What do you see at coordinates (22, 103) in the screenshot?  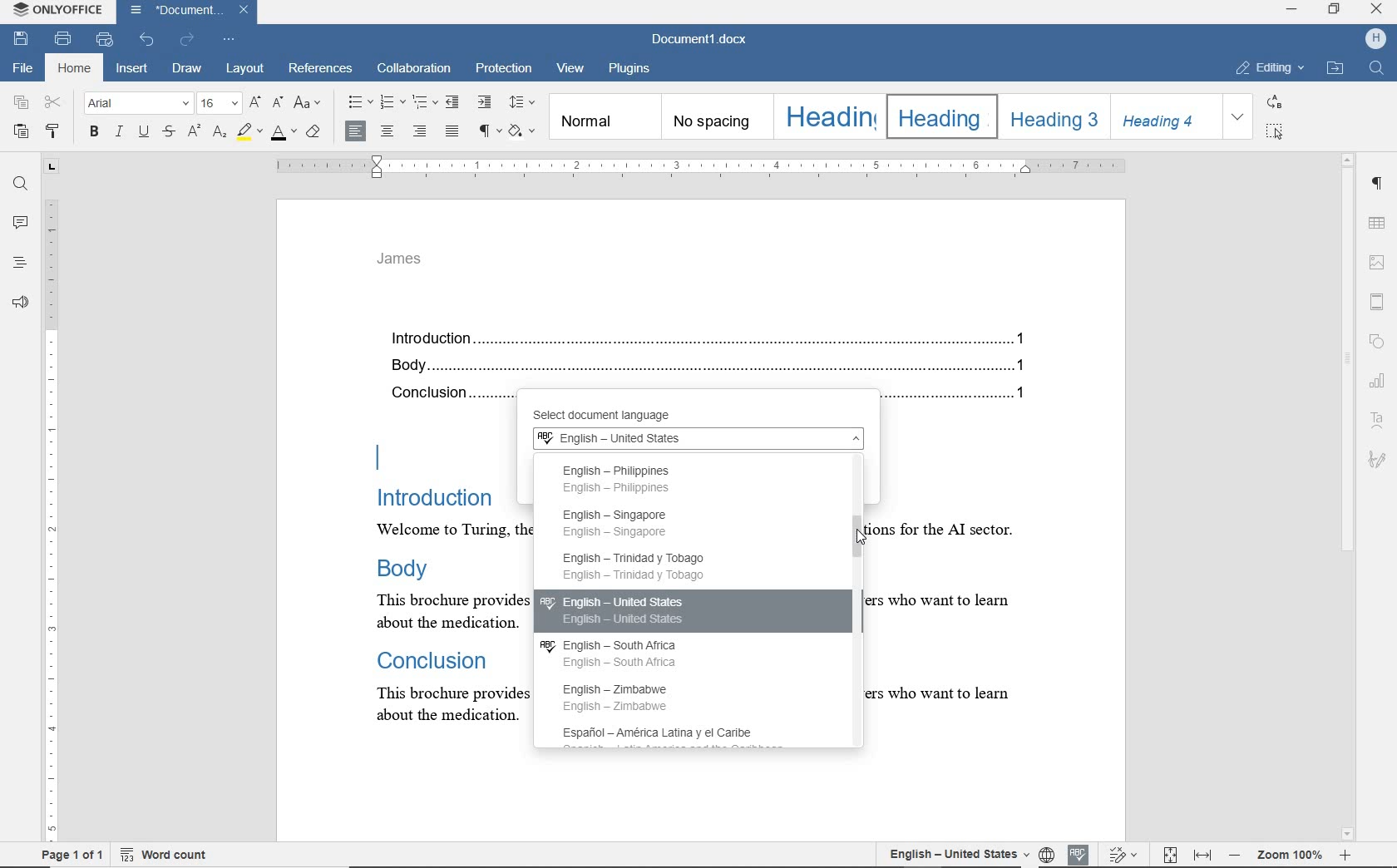 I see `copy` at bounding box center [22, 103].